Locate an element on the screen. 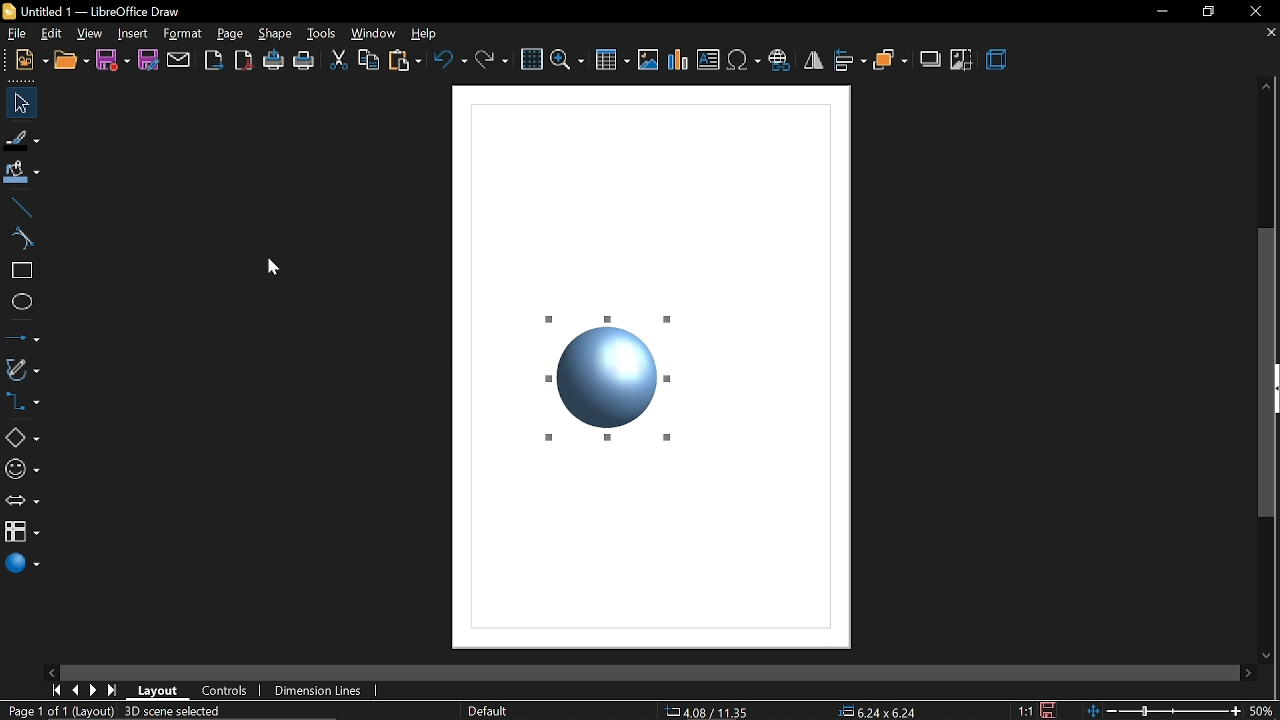 This screenshot has height=720, width=1280. arrows is located at coordinates (23, 502).